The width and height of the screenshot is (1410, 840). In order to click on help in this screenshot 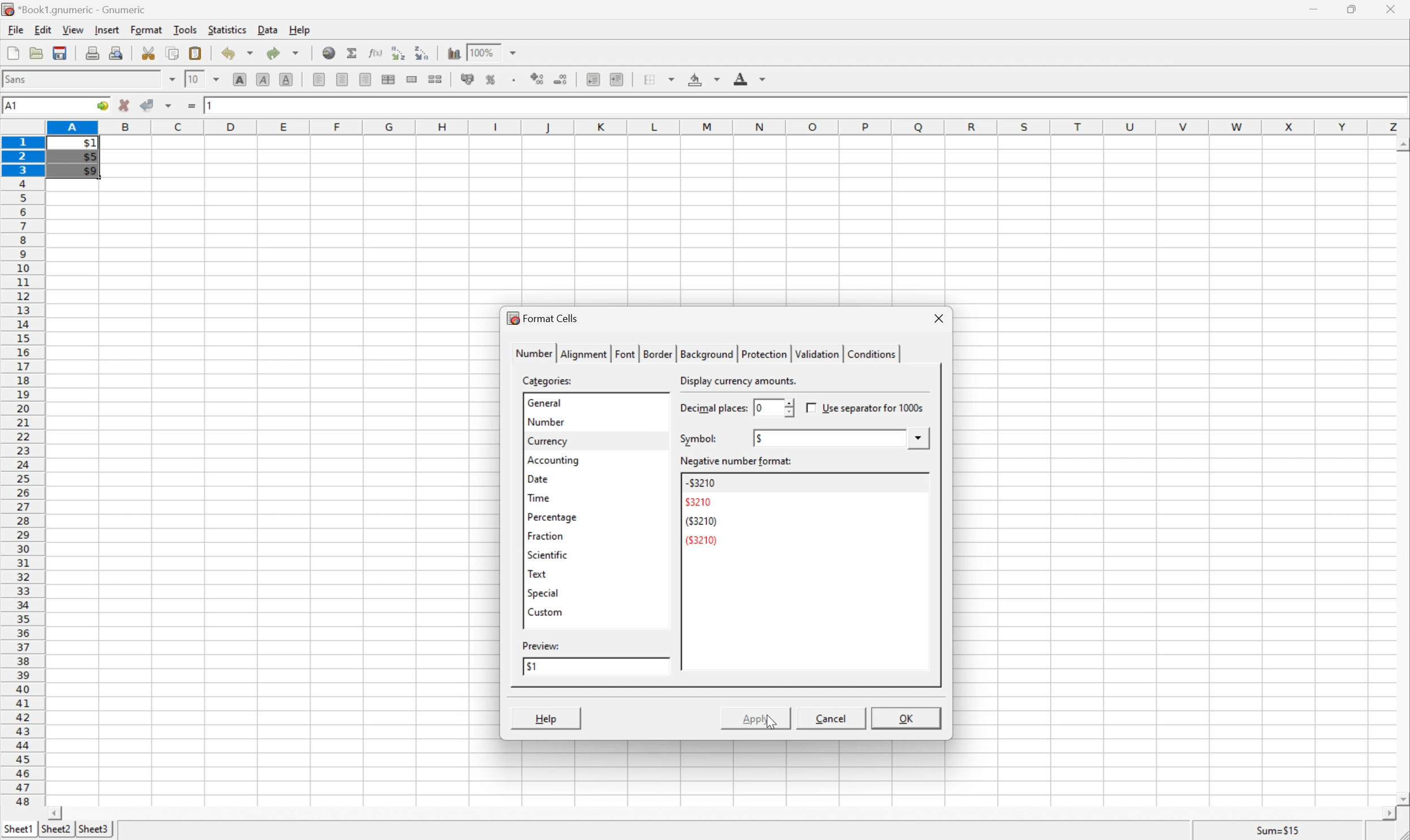, I will do `click(301, 29)`.